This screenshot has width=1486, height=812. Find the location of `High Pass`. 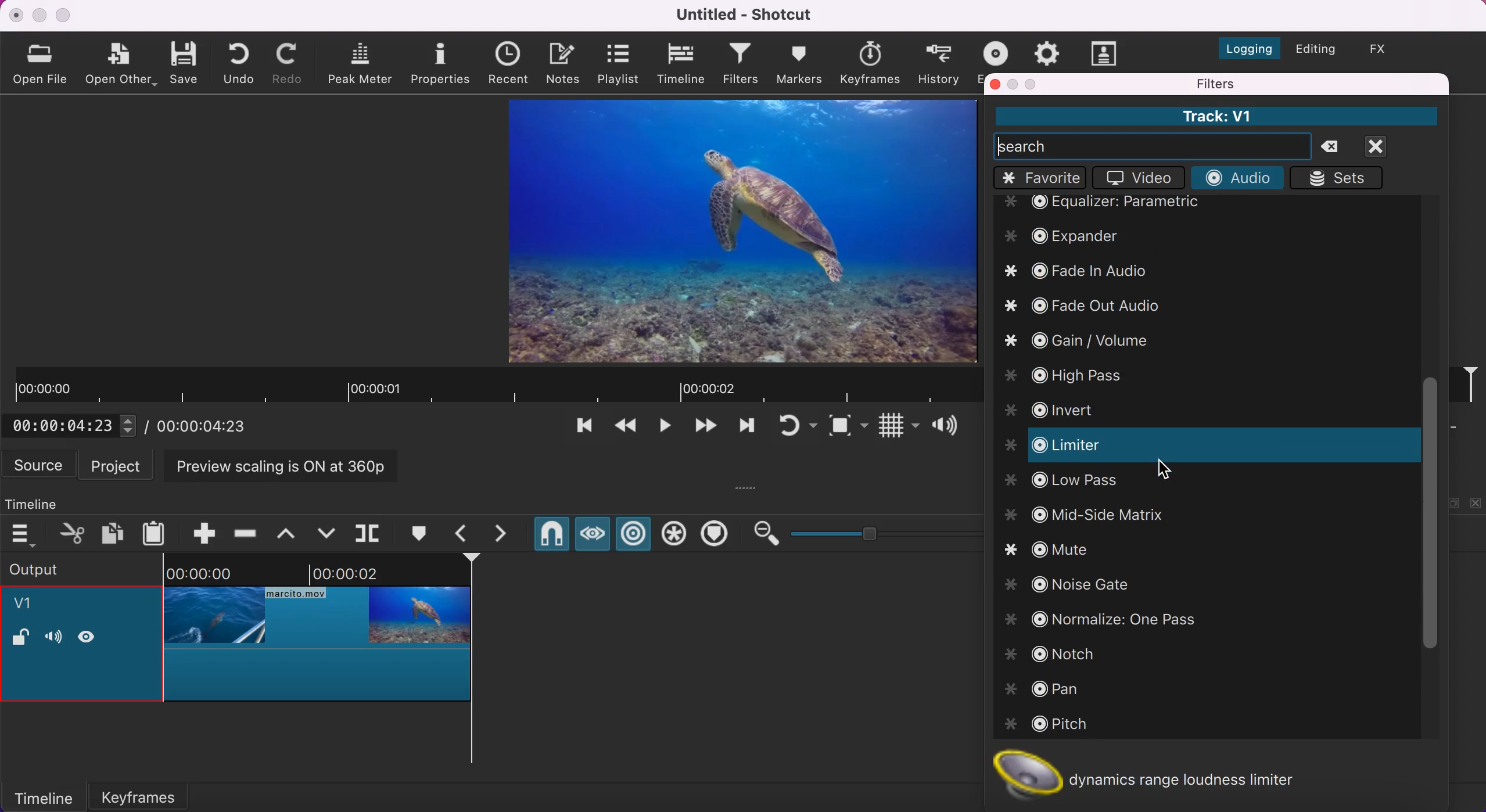

High Pass is located at coordinates (1077, 372).